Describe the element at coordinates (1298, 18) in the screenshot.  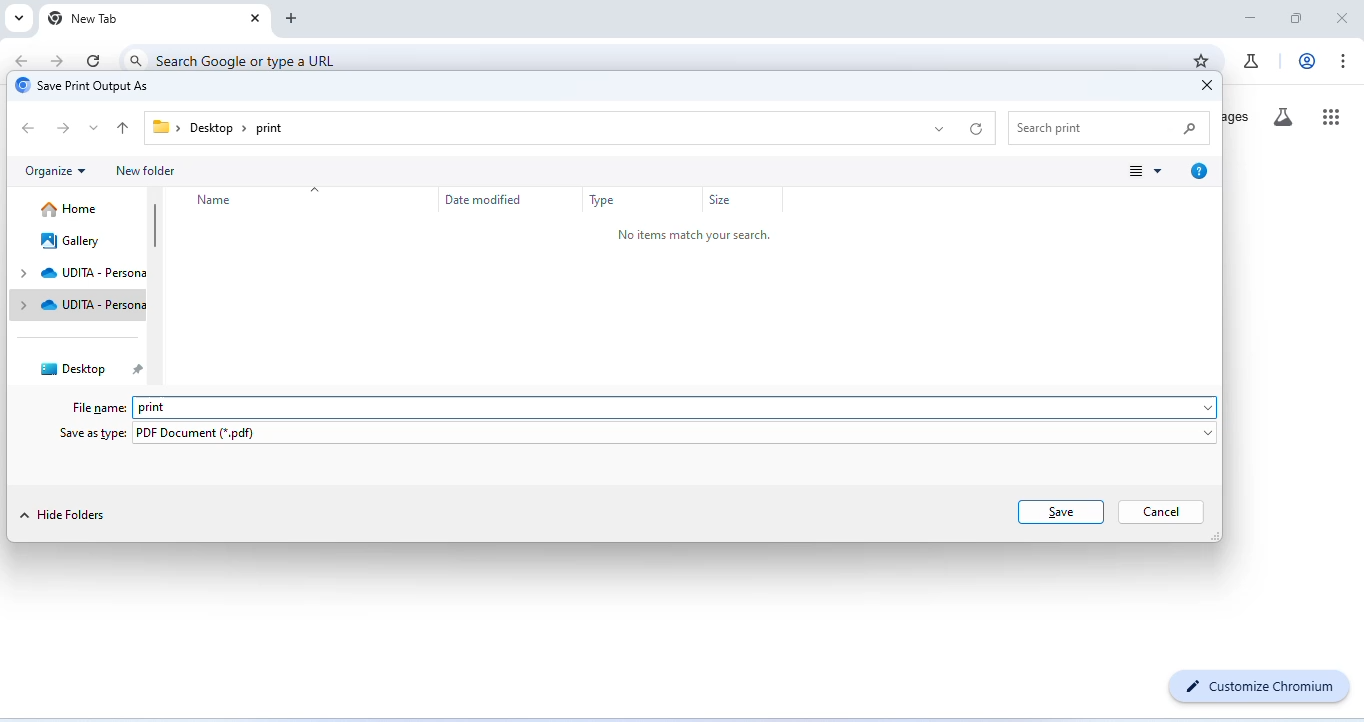
I see `maximize` at that location.